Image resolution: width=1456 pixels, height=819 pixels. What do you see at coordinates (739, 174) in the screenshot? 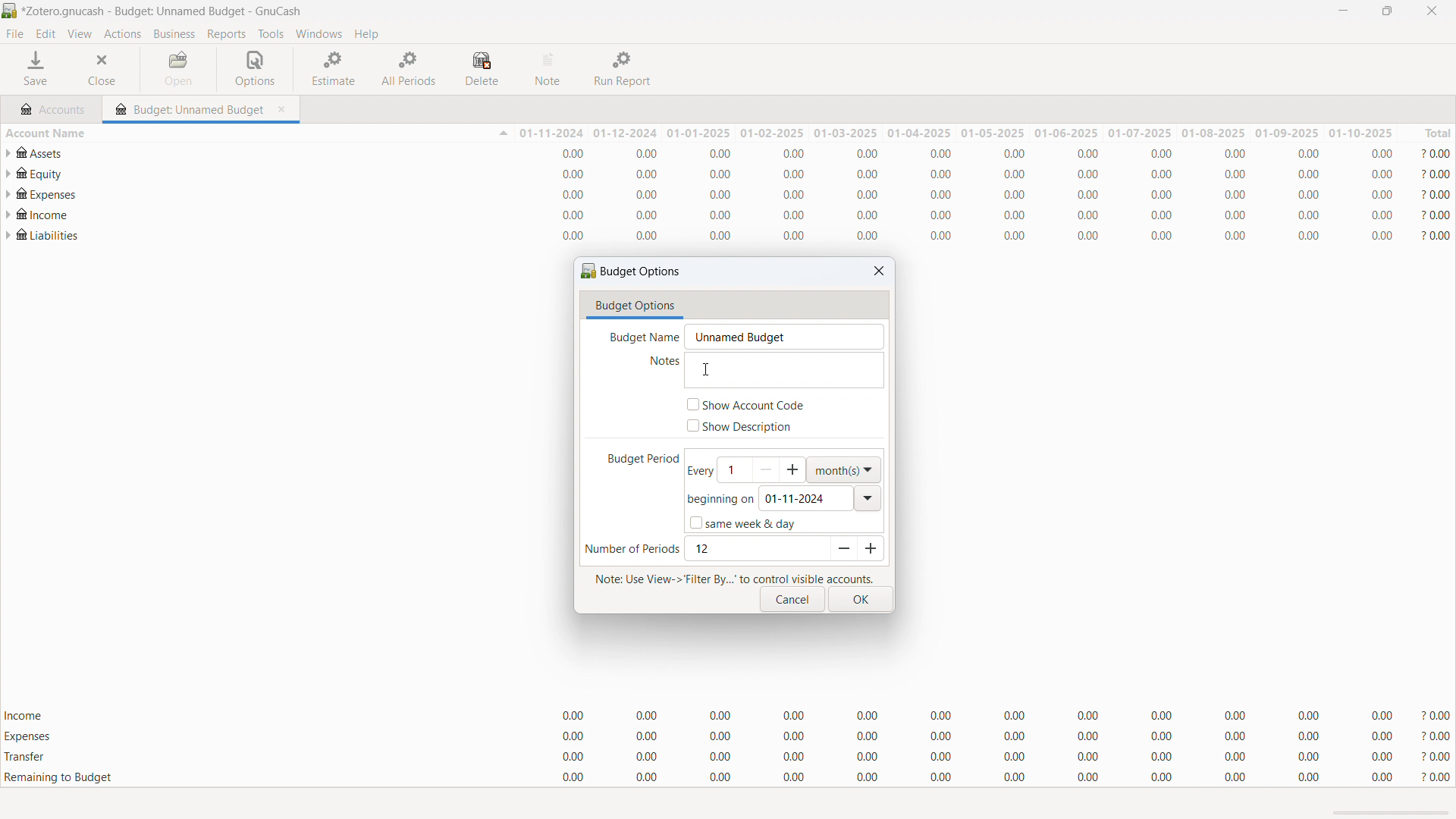
I see `account statement for  "Equity"` at bounding box center [739, 174].